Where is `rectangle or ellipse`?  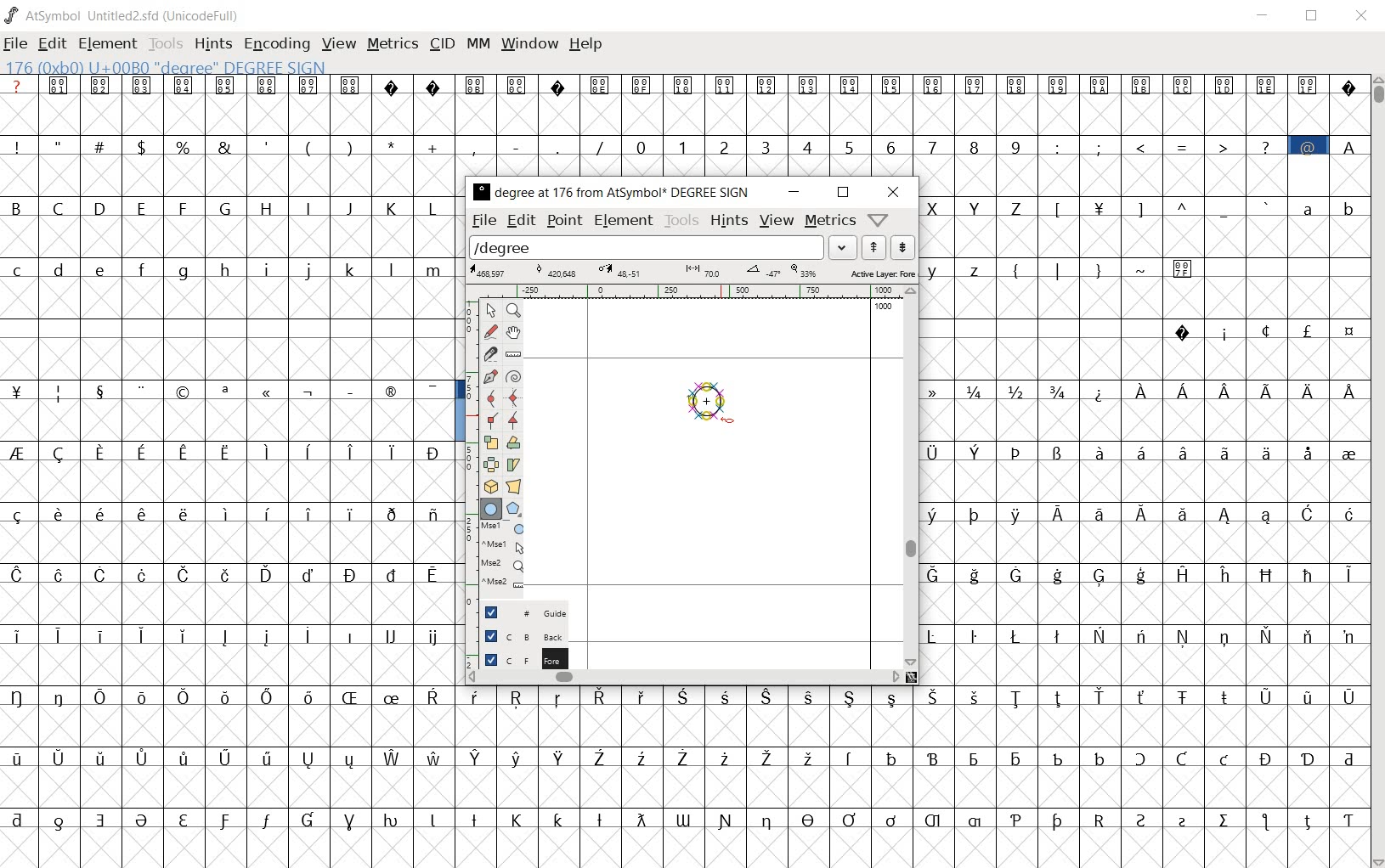 rectangle or ellipse is located at coordinates (490, 508).